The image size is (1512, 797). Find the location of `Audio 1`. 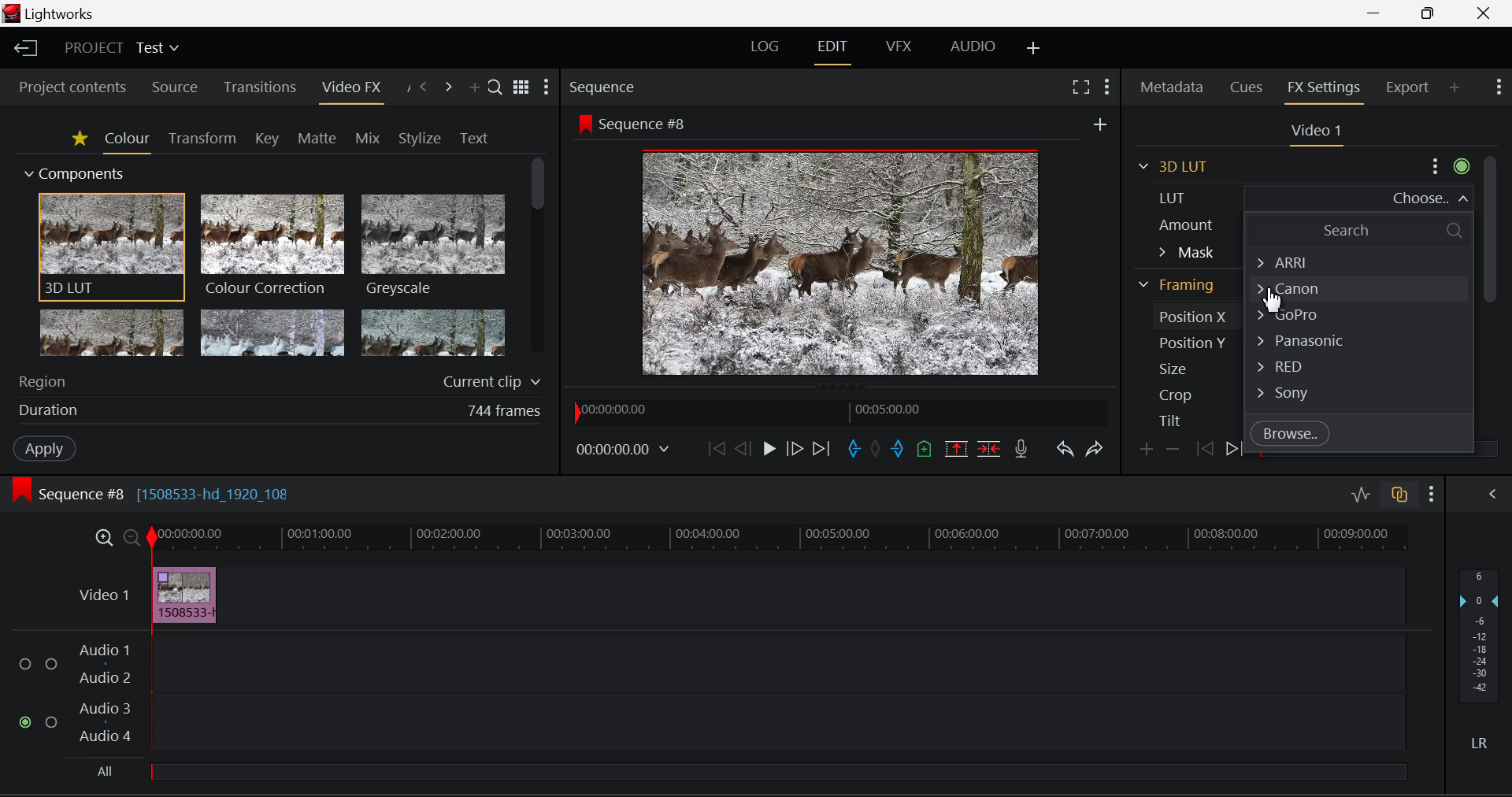

Audio 1 is located at coordinates (108, 649).